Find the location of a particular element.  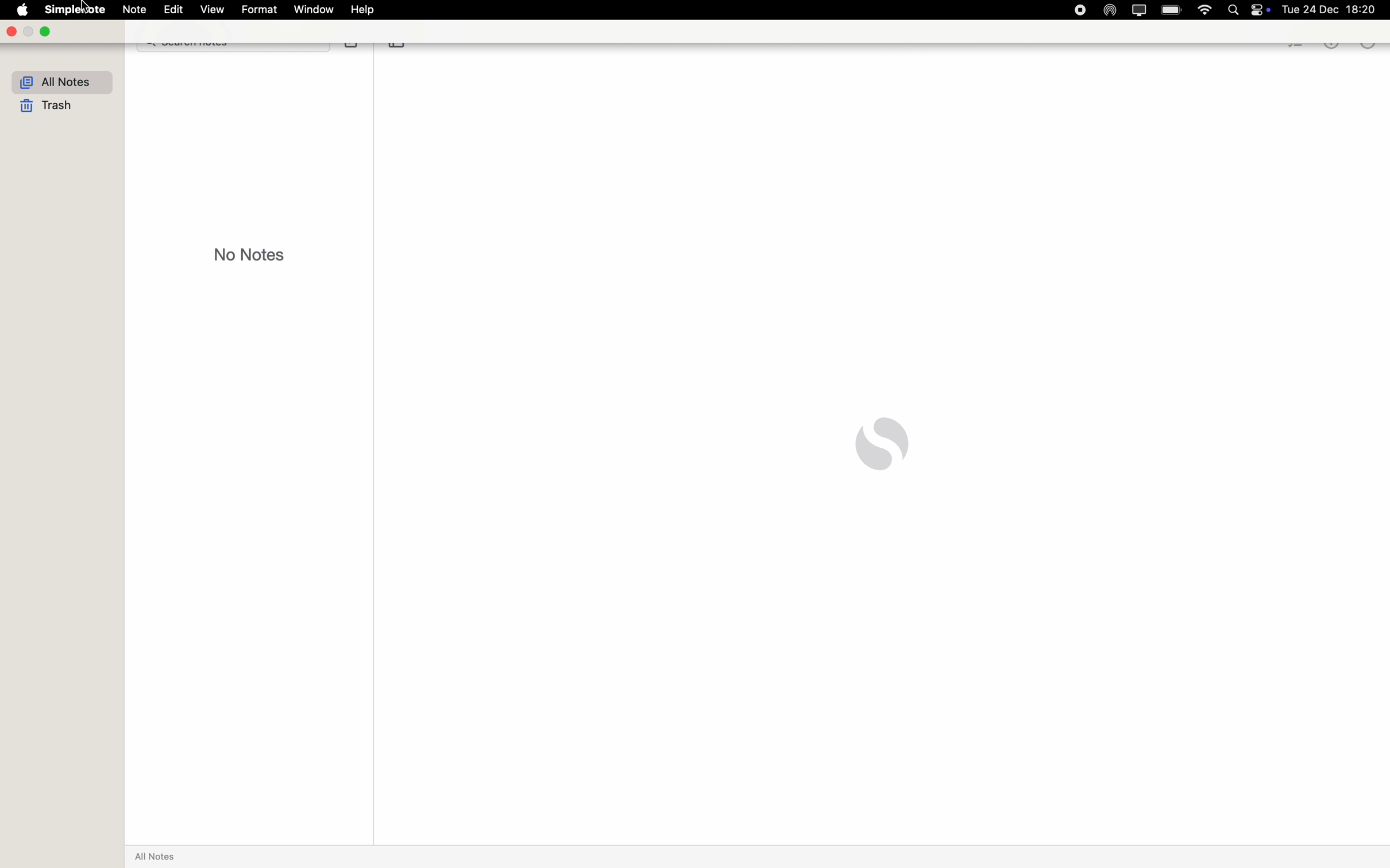

close Simplenote is located at coordinates (10, 32).